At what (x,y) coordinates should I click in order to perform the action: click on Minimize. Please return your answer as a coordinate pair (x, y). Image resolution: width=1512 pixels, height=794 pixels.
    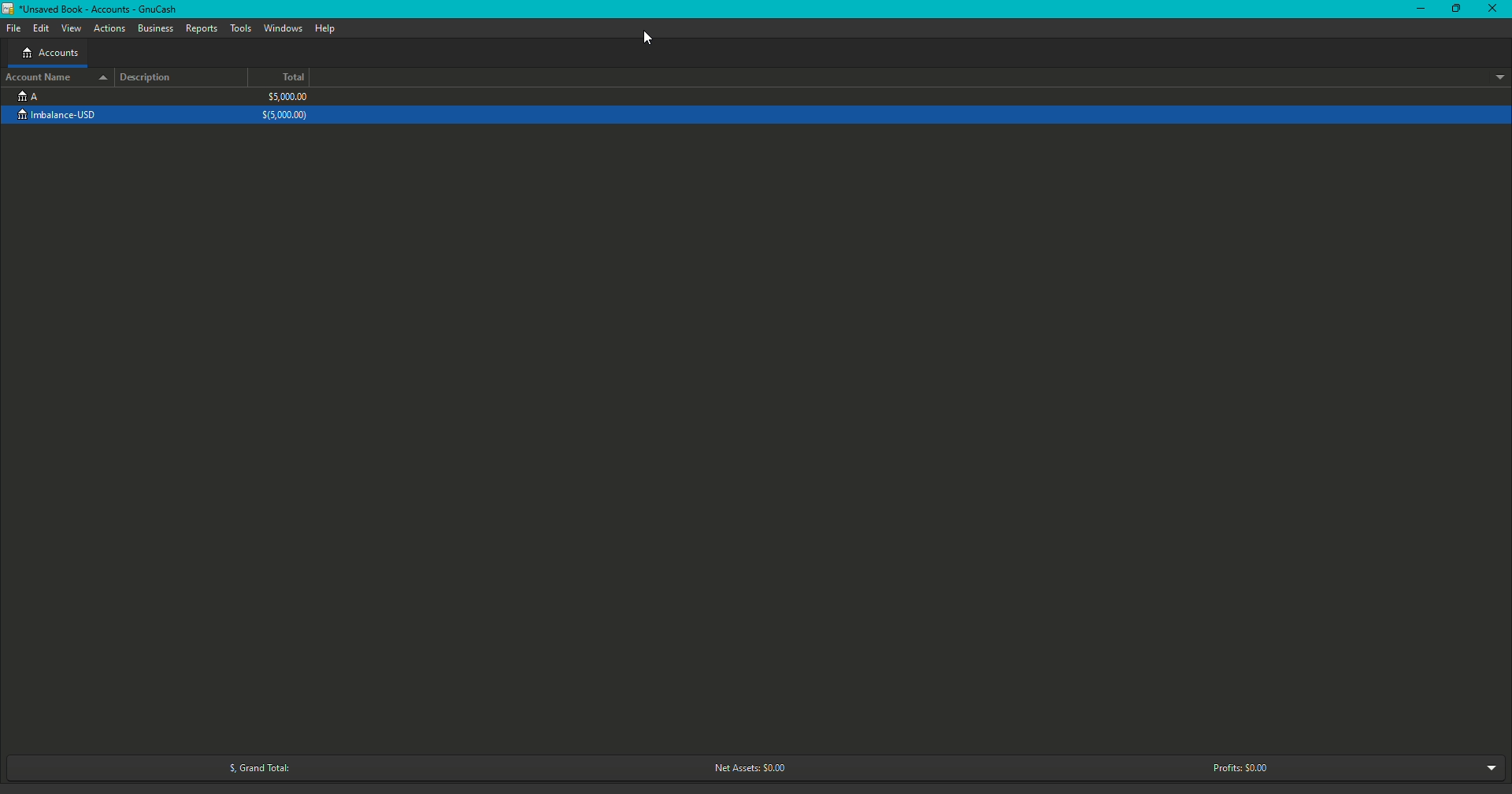
    Looking at the image, I should click on (1421, 9).